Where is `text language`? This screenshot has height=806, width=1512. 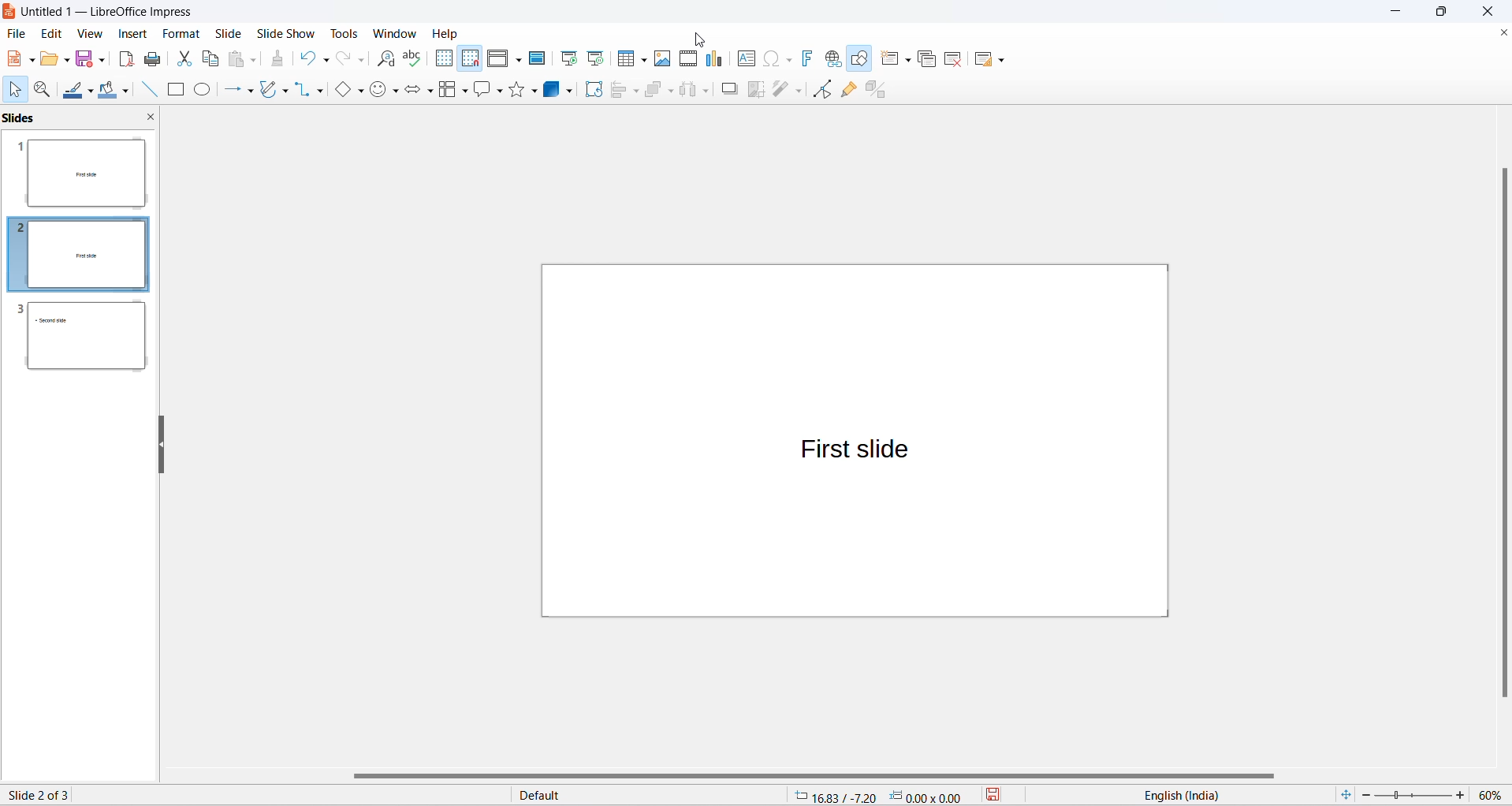 text language is located at coordinates (1168, 796).